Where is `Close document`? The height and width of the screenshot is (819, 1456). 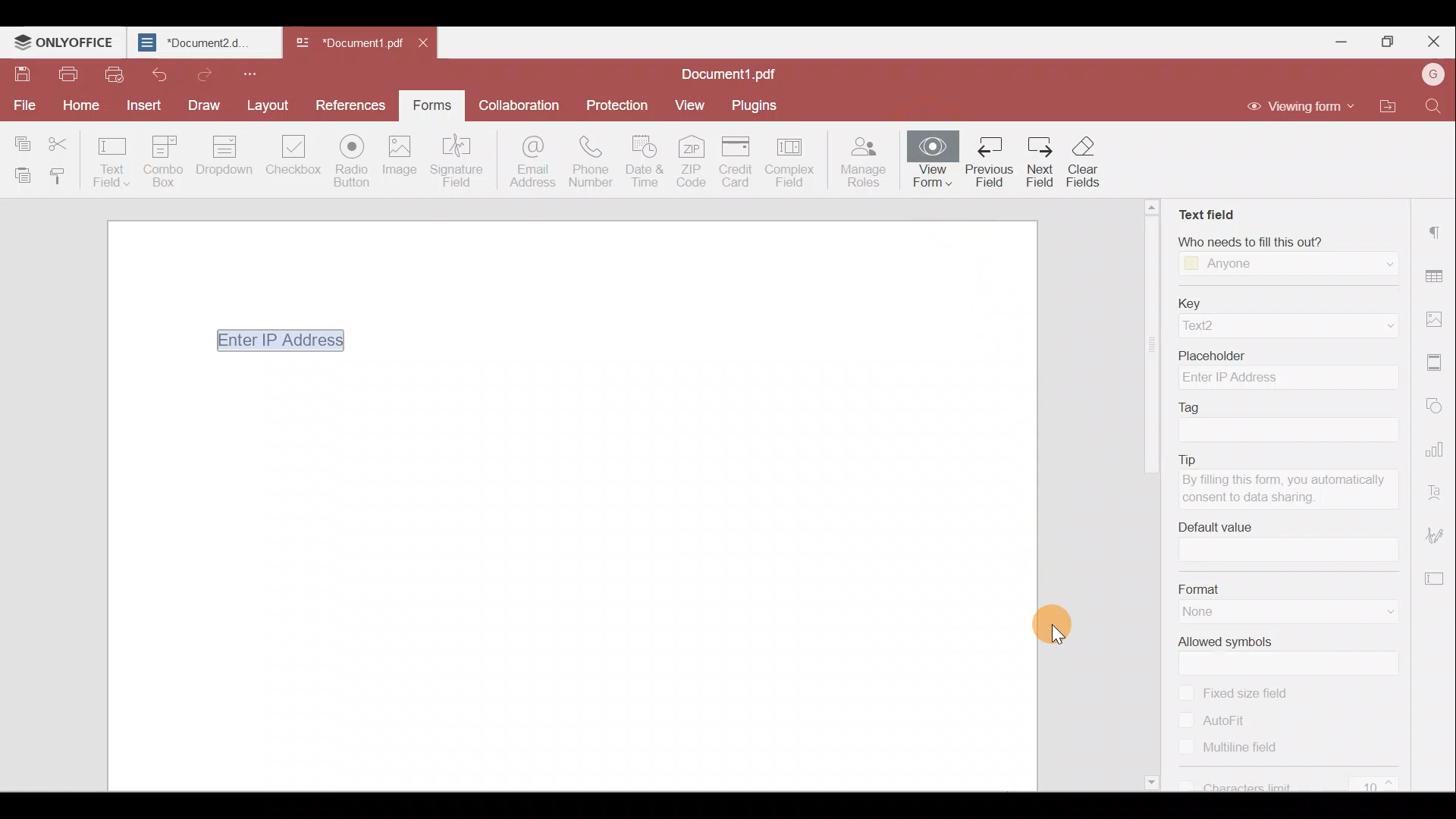 Close document is located at coordinates (427, 45).